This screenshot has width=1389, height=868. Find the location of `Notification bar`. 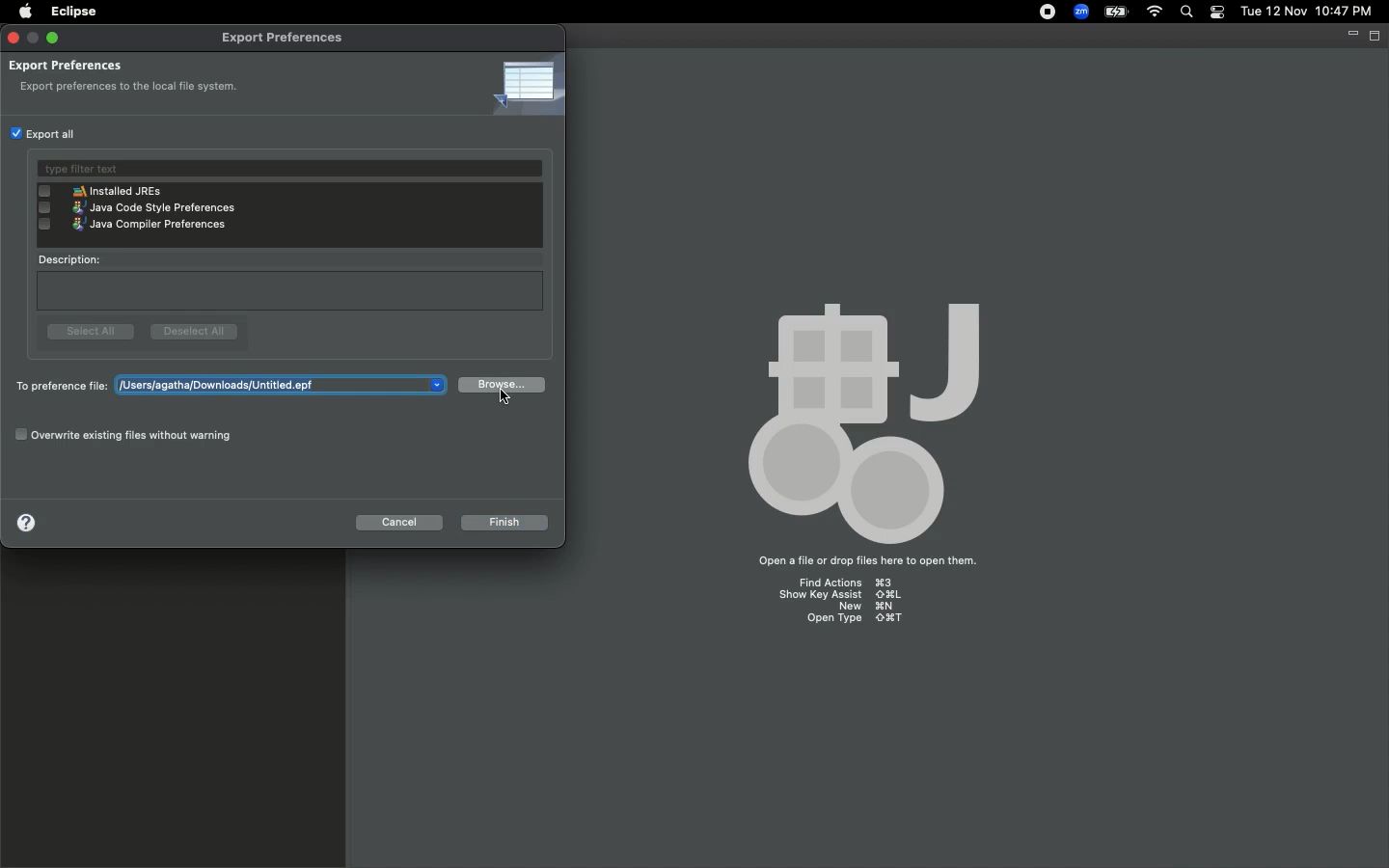

Notification bar is located at coordinates (1216, 14).